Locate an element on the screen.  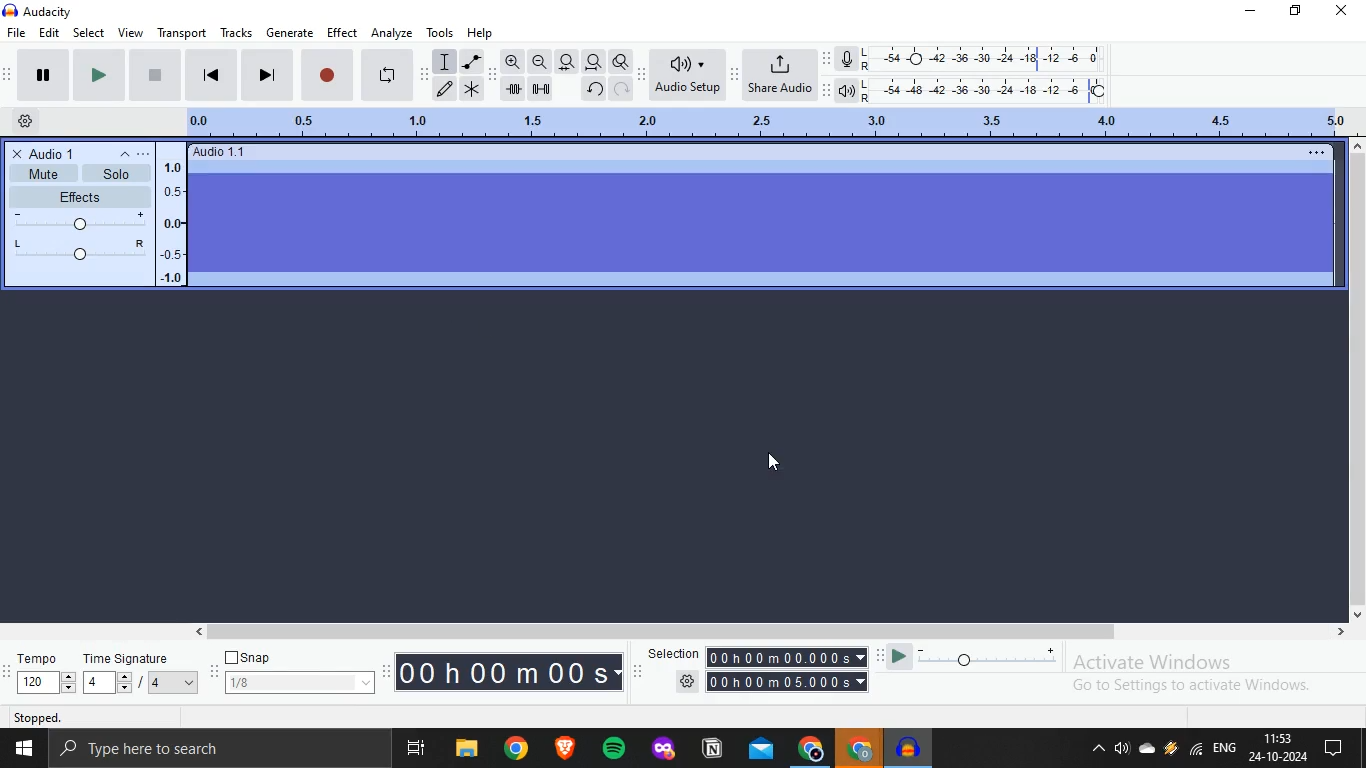
Effect is located at coordinates (345, 31).